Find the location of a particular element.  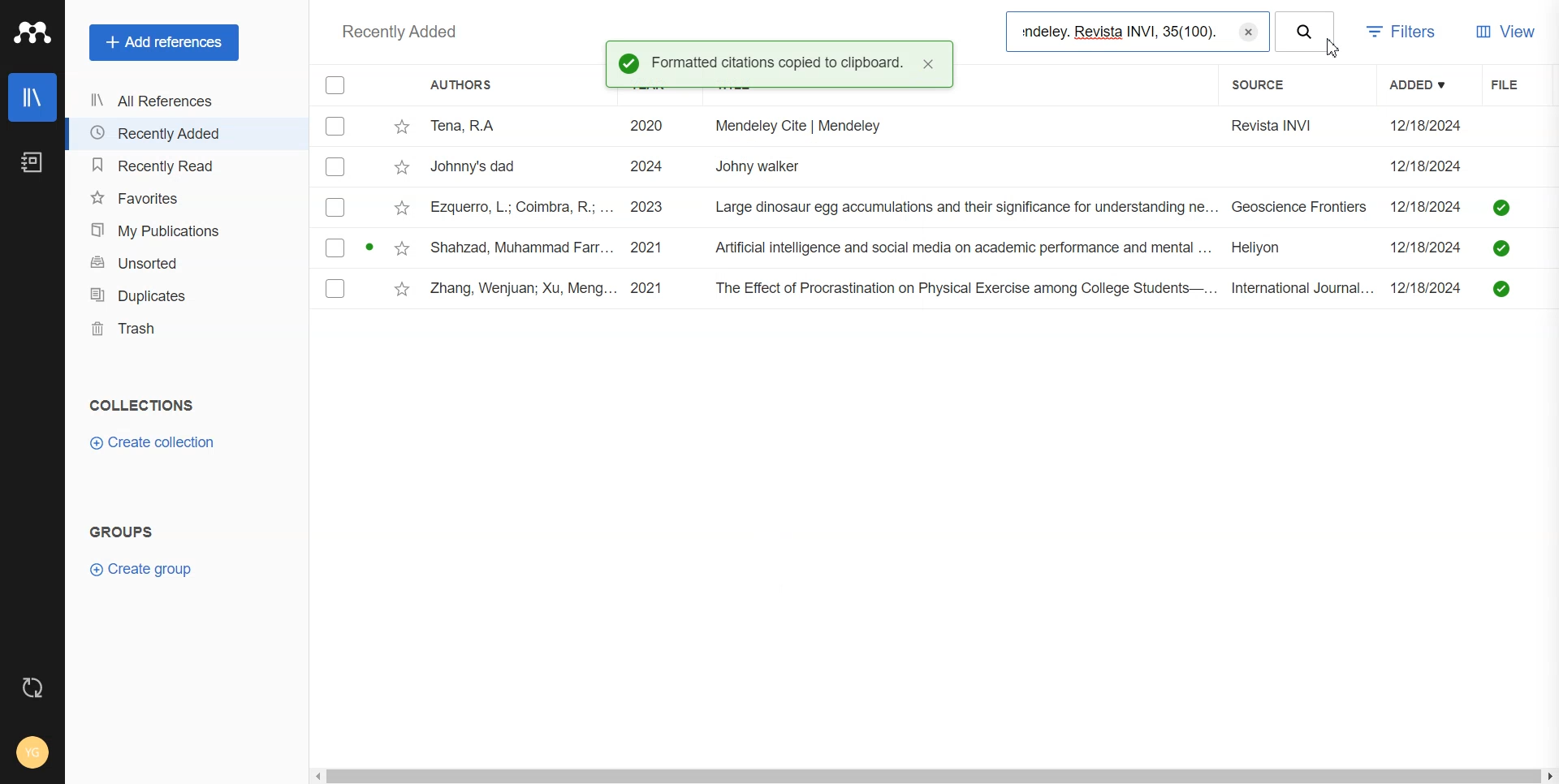

Checkbox is located at coordinates (335, 248).